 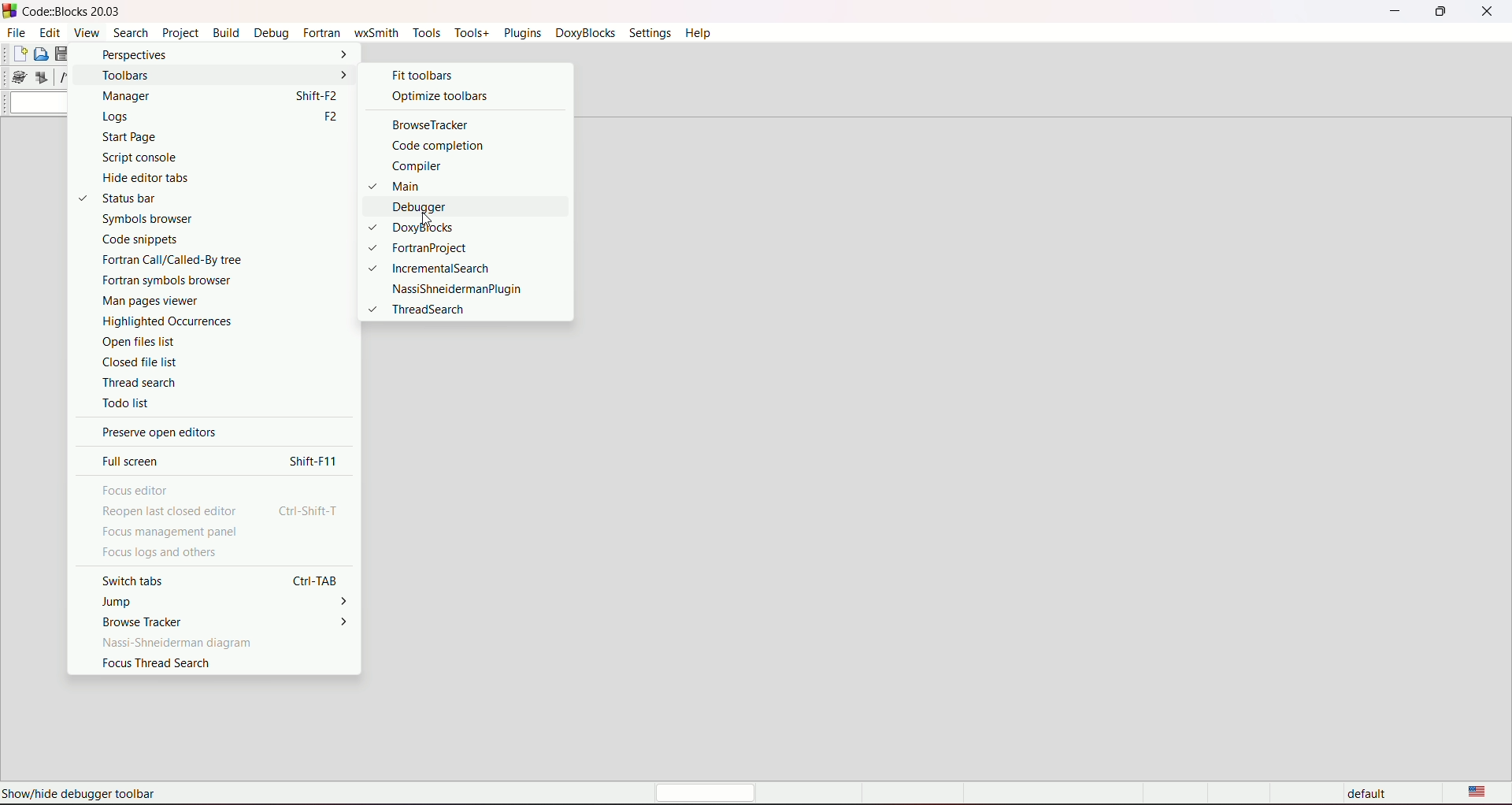 I want to click on focus logs and others, so click(x=158, y=553).